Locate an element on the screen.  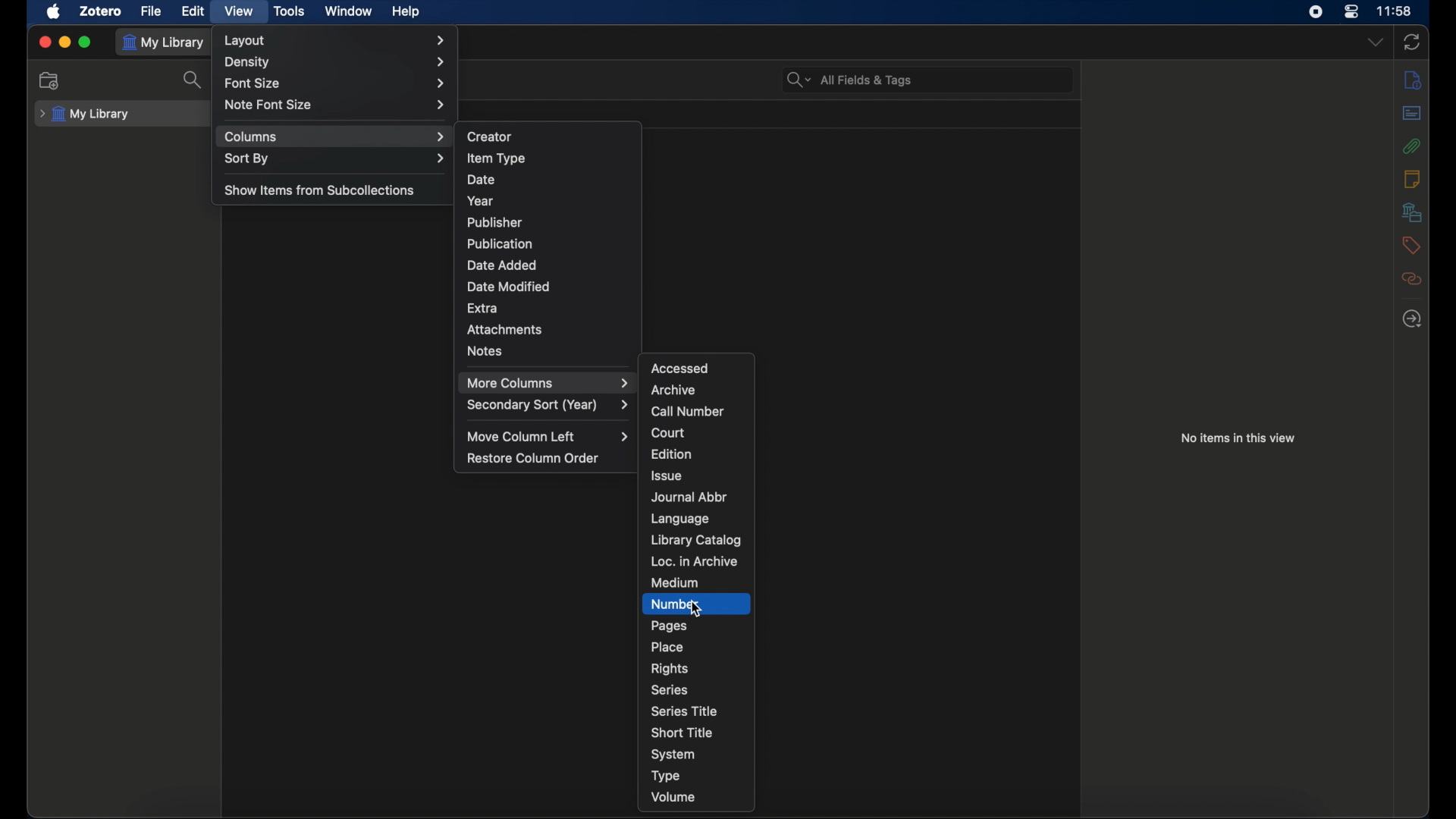
cursor is located at coordinates (695, 610).